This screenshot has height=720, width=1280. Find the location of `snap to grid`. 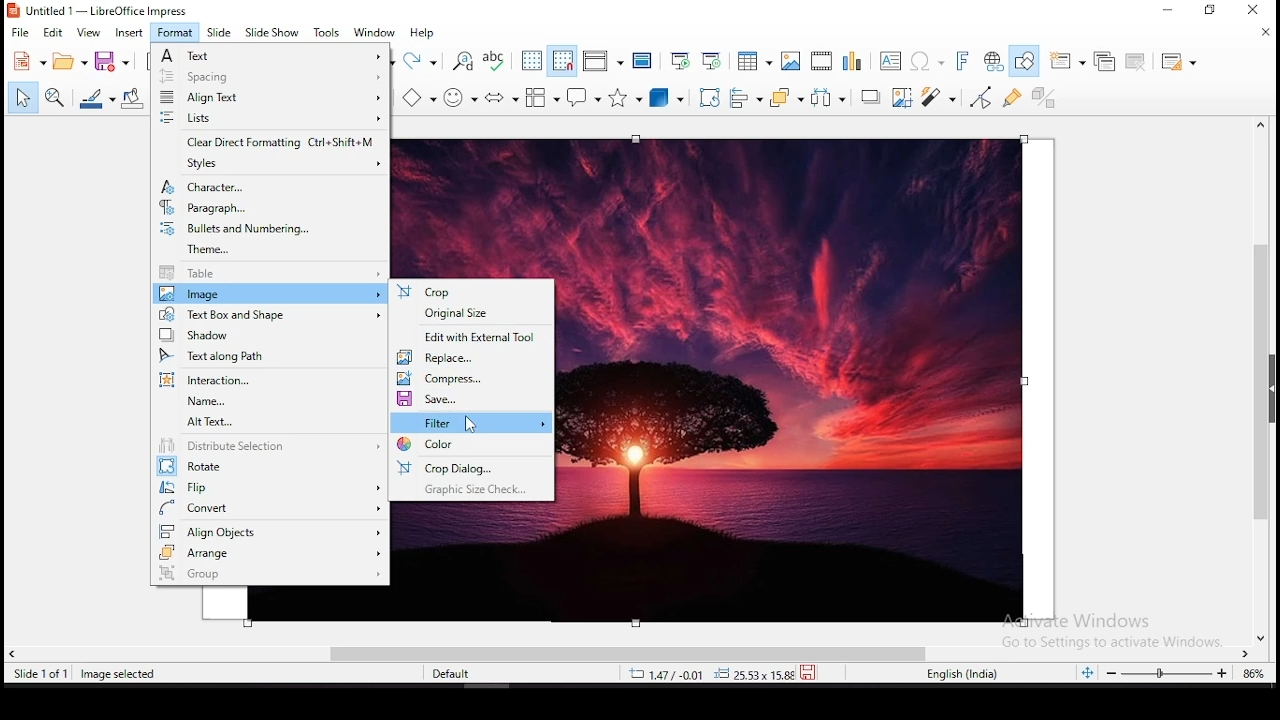

snap to grid is located at coordinates (561, 62).